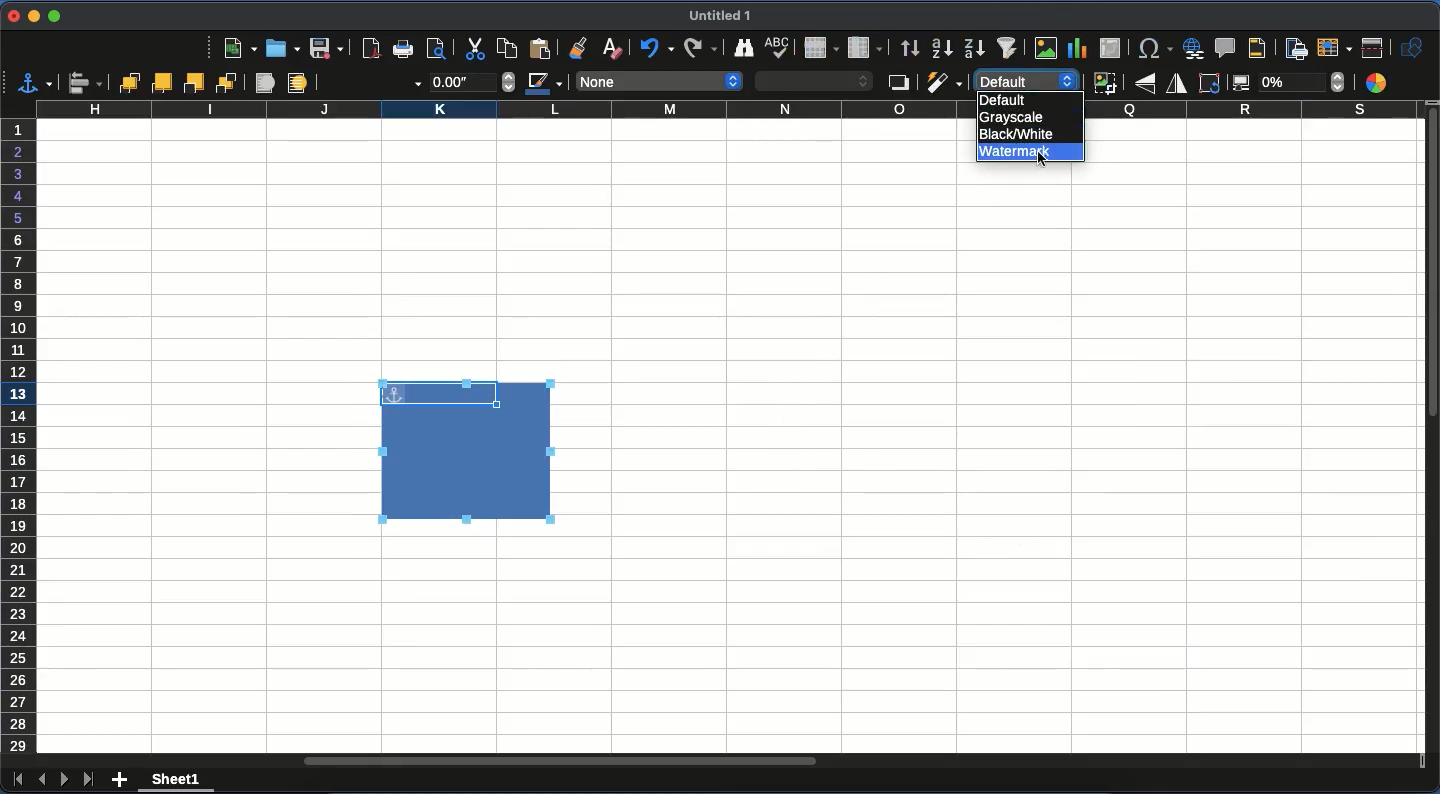  Describe the element at coordinates (544, 86) in the screenshot. I see `line color` at that location.